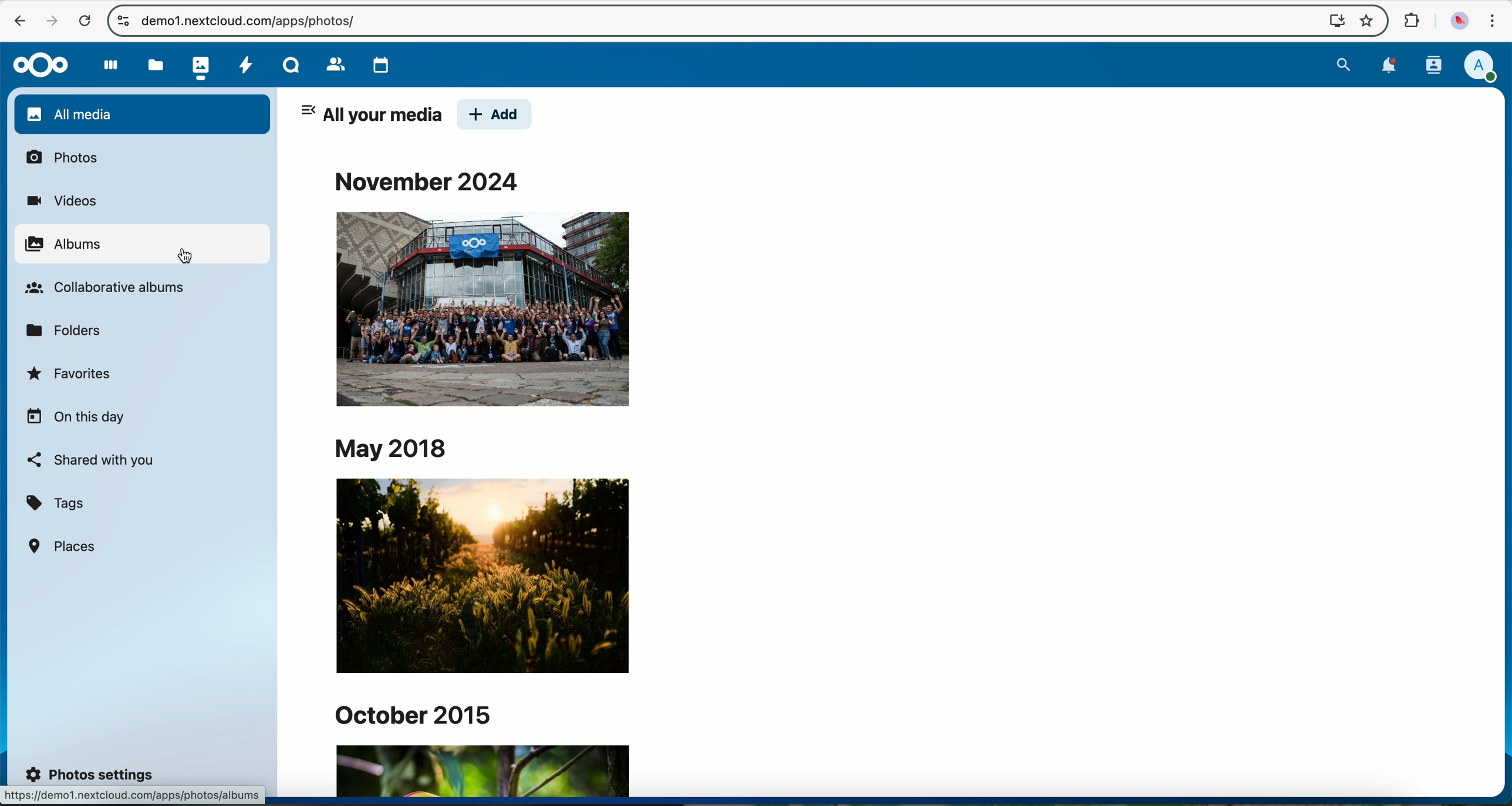 This screenshot has width=1512, height=806. What do you see at coordinates (68, 329) in the screenshot?
I see `folders` at bounding box center [68, 329].